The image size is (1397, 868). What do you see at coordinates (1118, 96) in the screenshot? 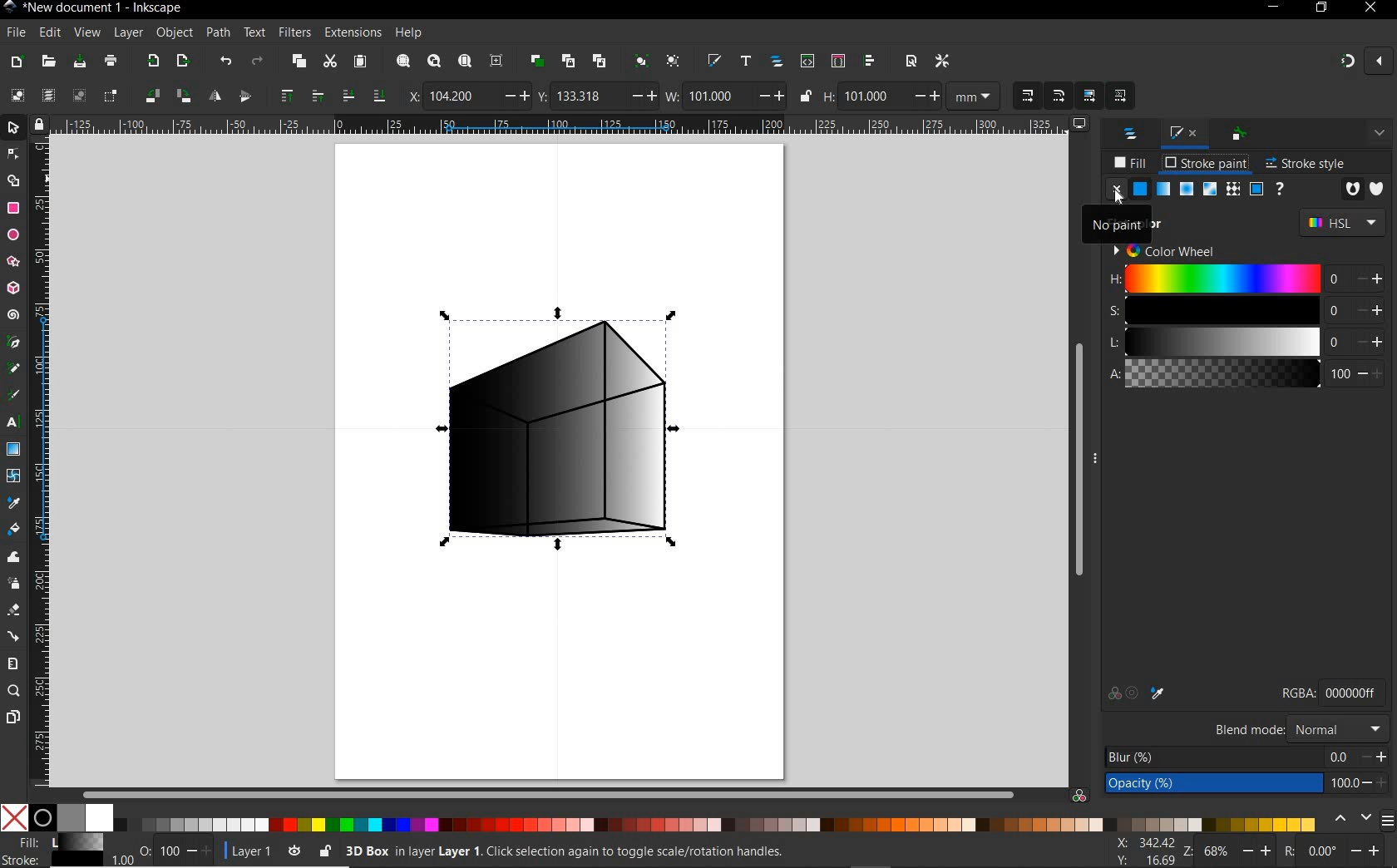
I see `MOVE PATTERNS` at bounding box center [1118, 96].